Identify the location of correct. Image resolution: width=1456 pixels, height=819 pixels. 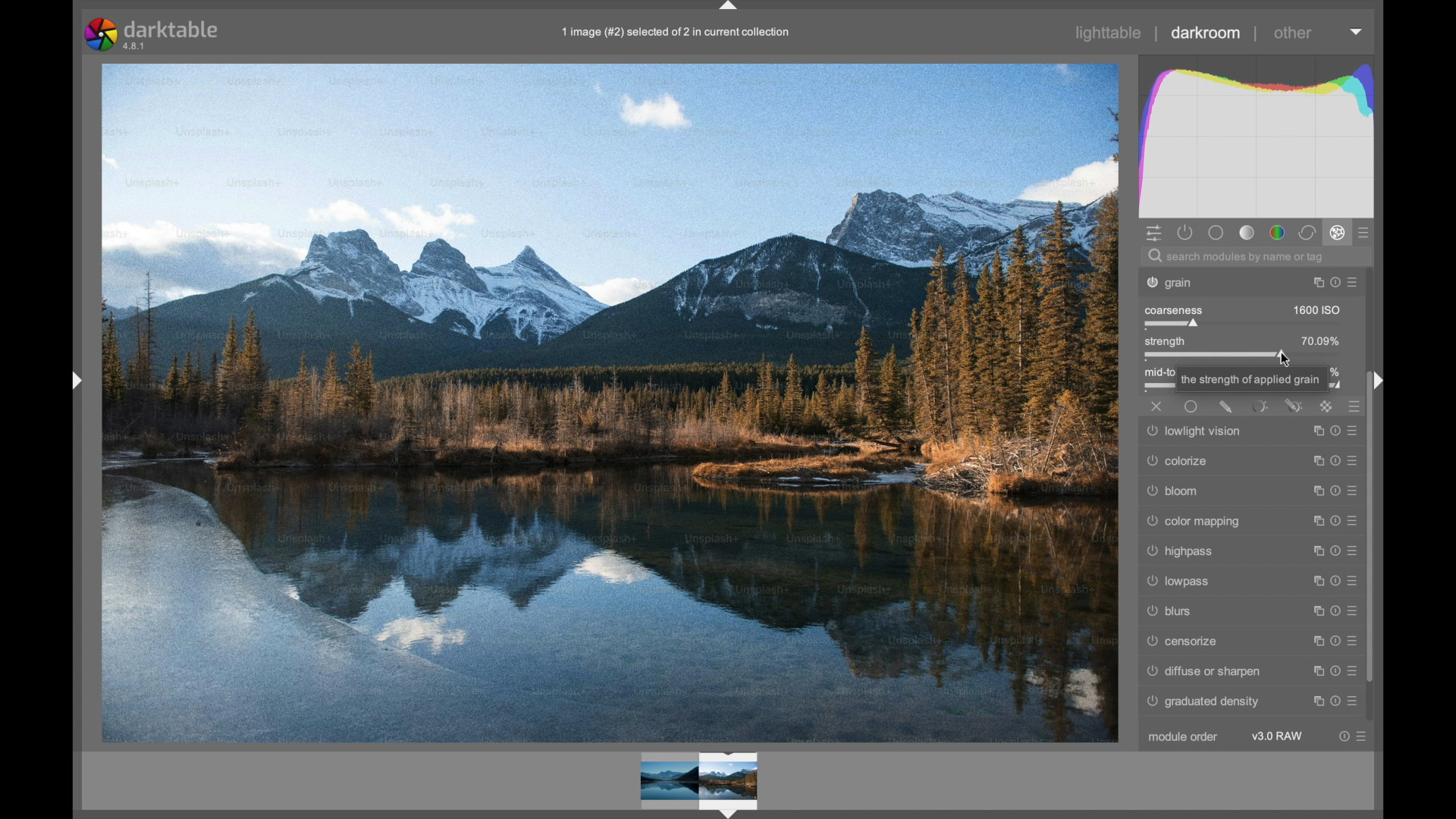
(1308, 233).